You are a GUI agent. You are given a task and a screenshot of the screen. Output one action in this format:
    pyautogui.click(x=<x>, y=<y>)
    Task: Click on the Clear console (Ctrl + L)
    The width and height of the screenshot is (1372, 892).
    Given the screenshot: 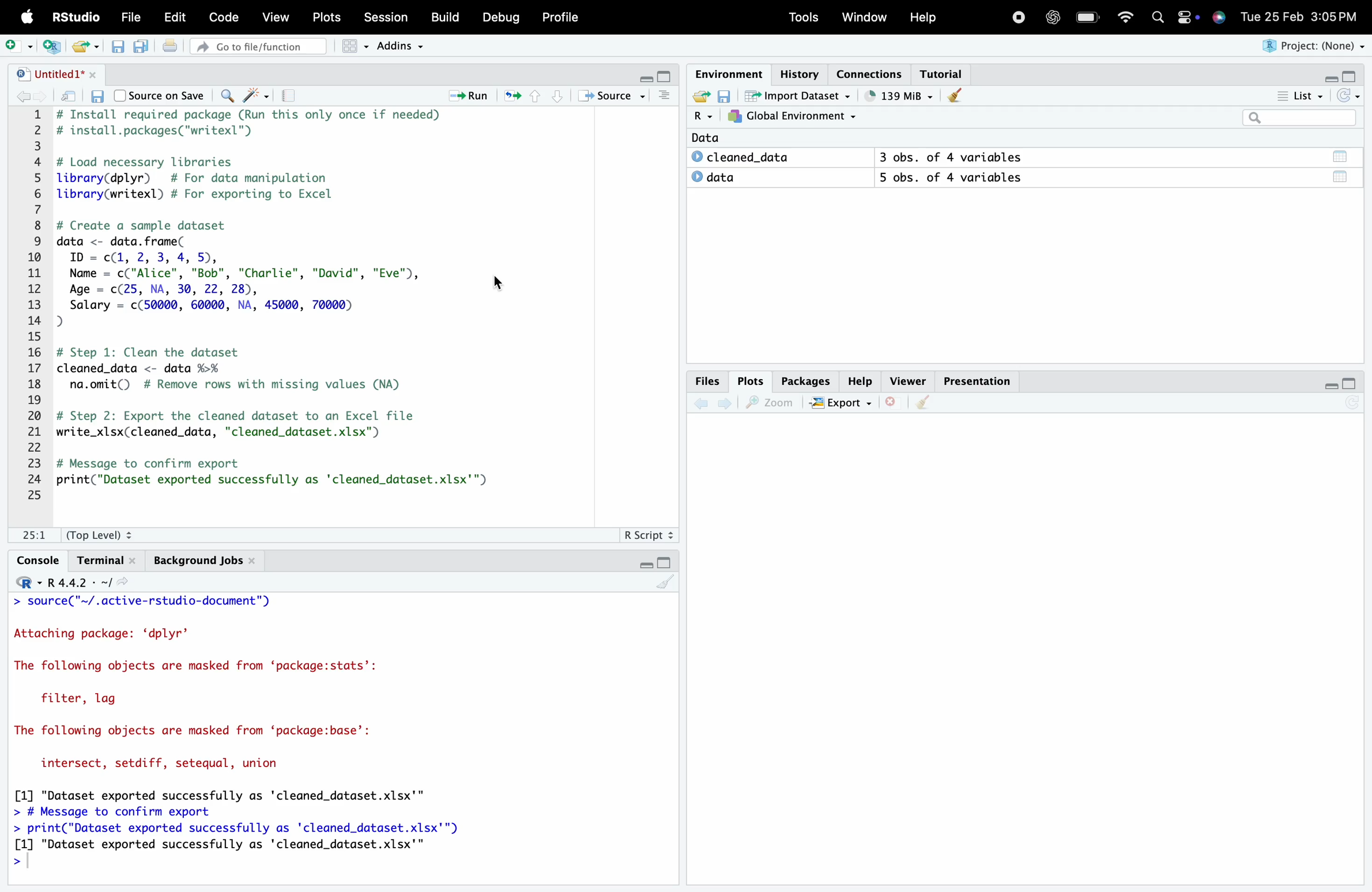 What is the action you would take?
    pyautogui.click(x=953, y=97)
    